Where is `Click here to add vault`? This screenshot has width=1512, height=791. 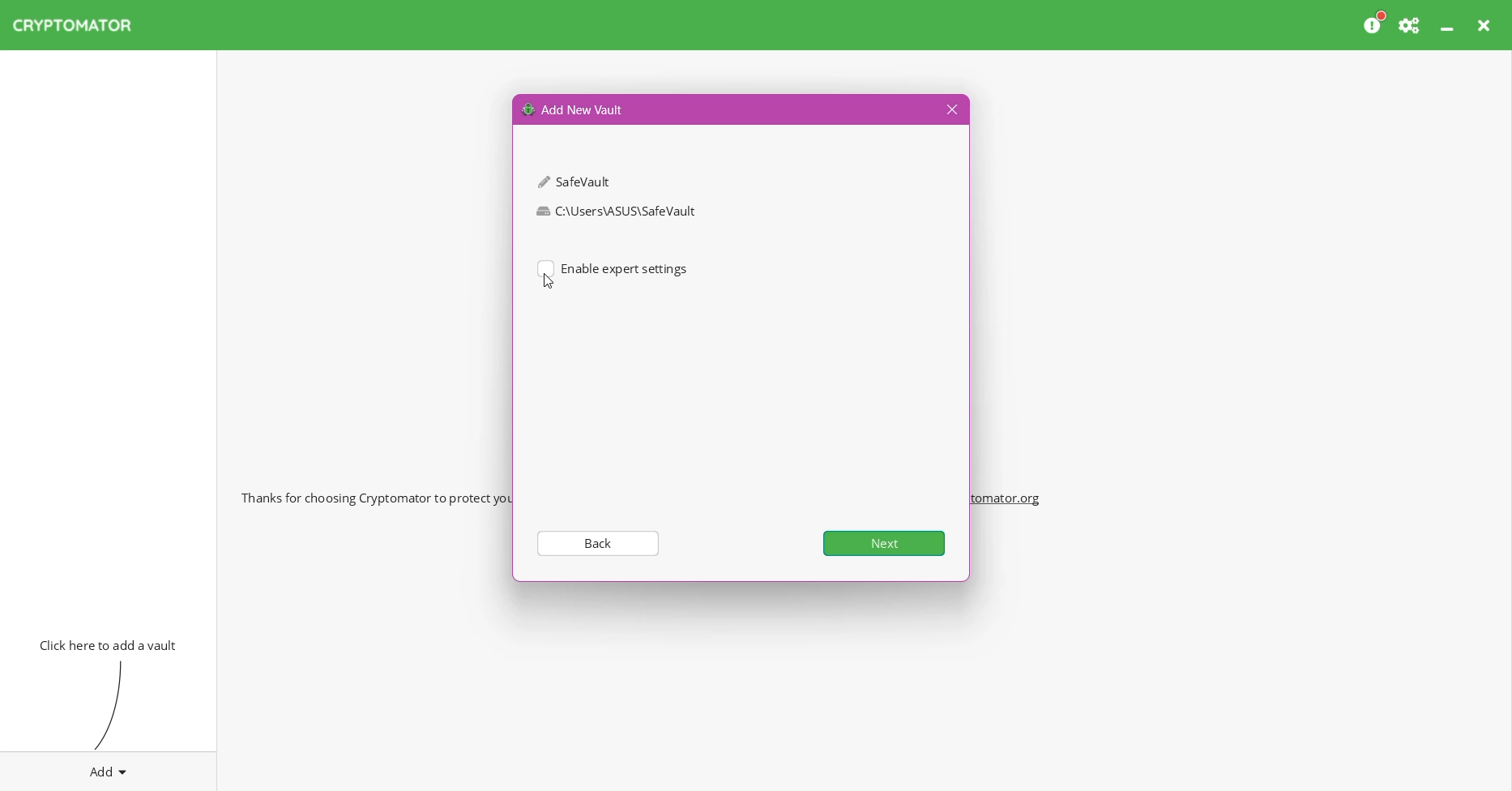 Click here to add vault is located at coordinates (105, 643).